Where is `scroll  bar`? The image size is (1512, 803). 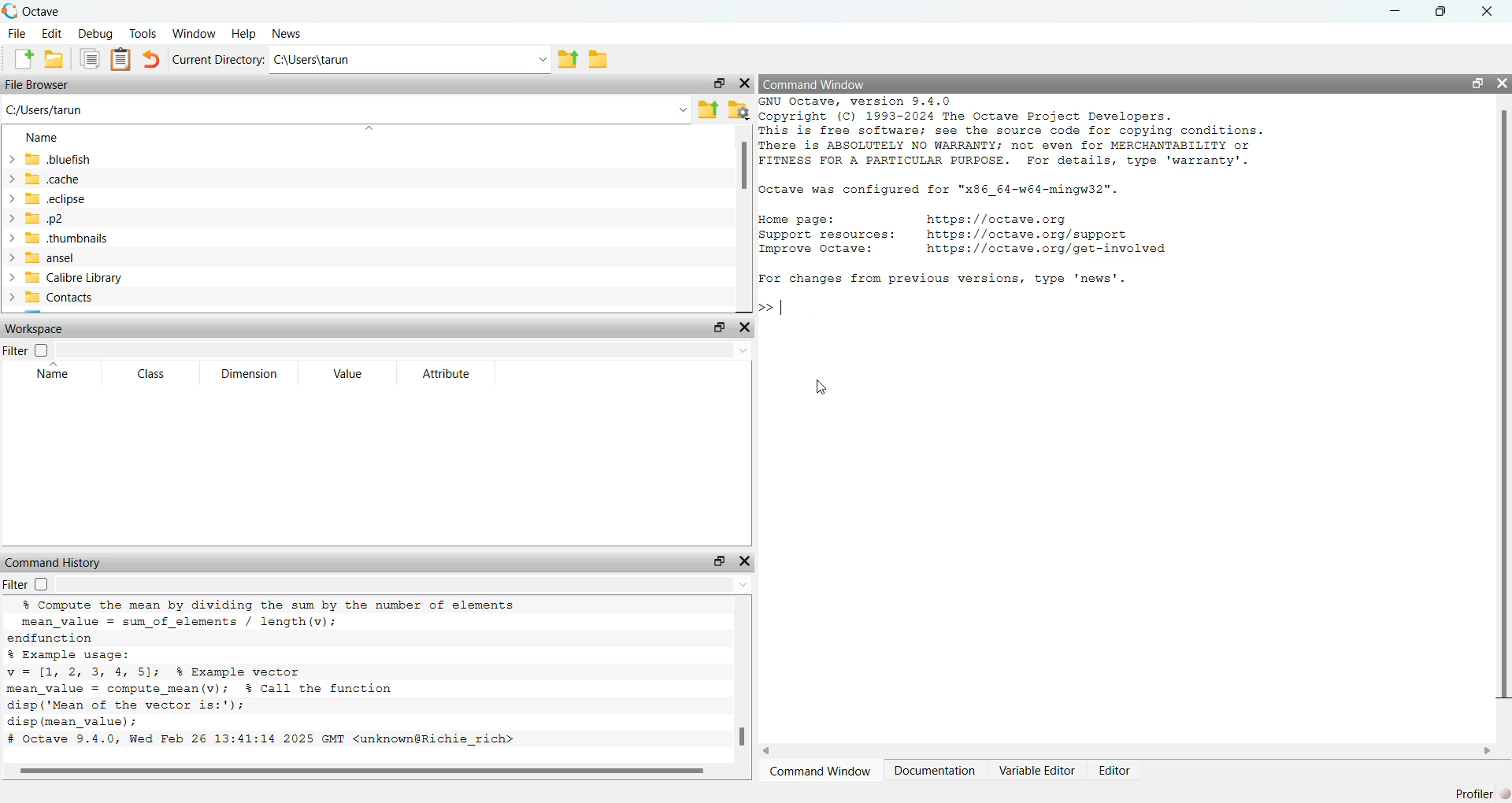
scroll  bar is located at coordinates (1505, 401).